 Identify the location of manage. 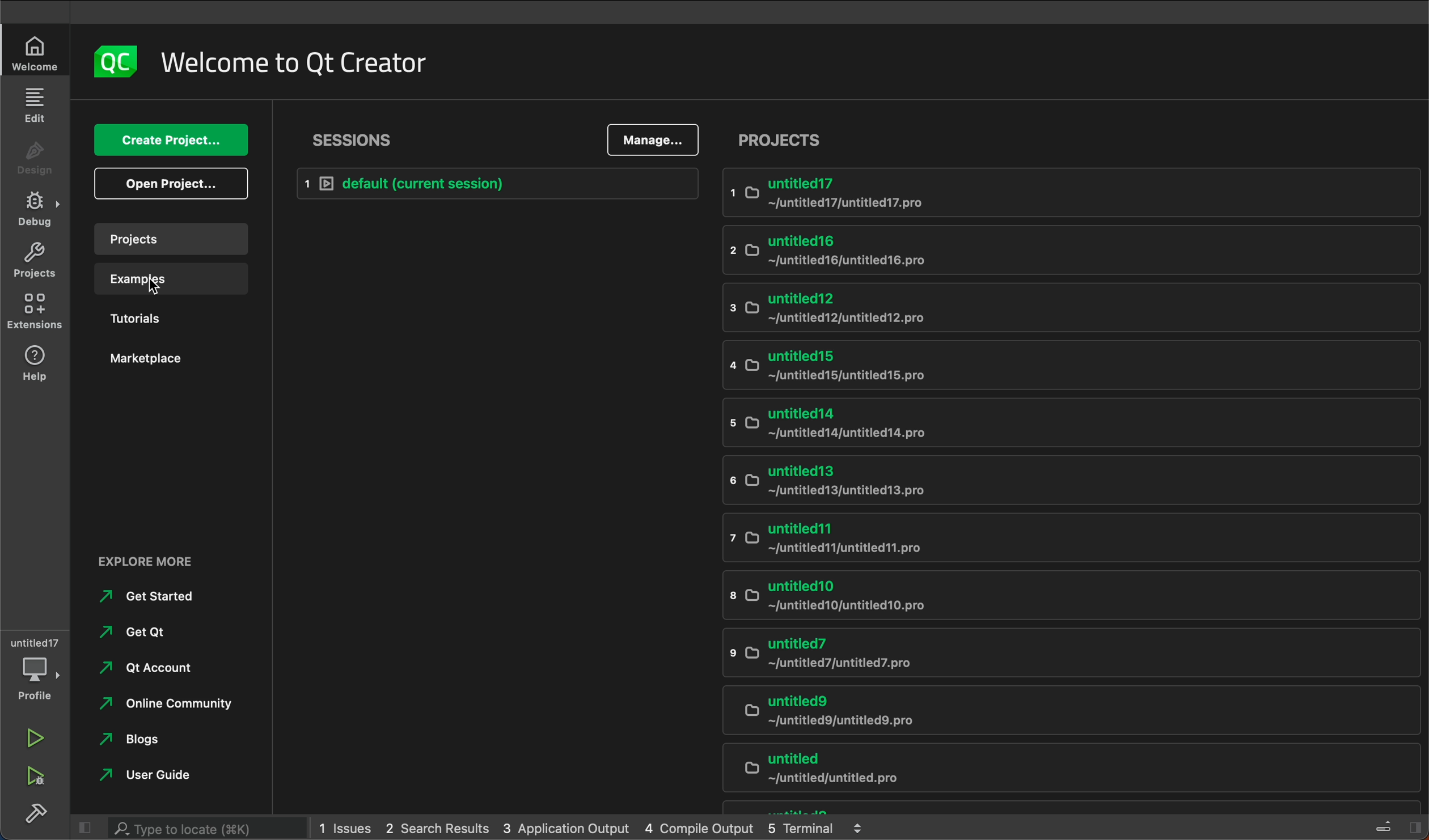
(654, 141).